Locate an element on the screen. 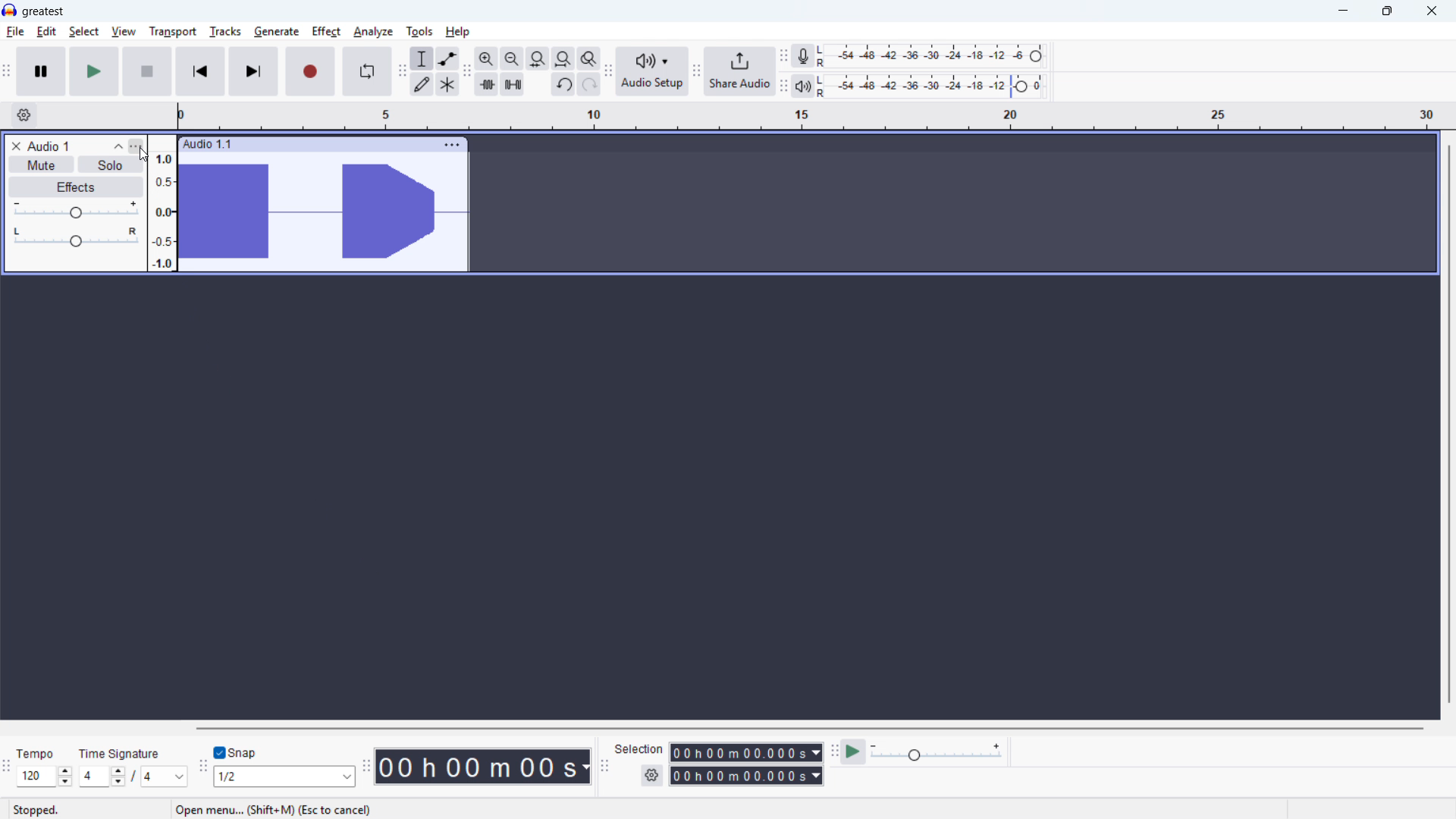  track control panel menu is located at coordinates (135, 146).